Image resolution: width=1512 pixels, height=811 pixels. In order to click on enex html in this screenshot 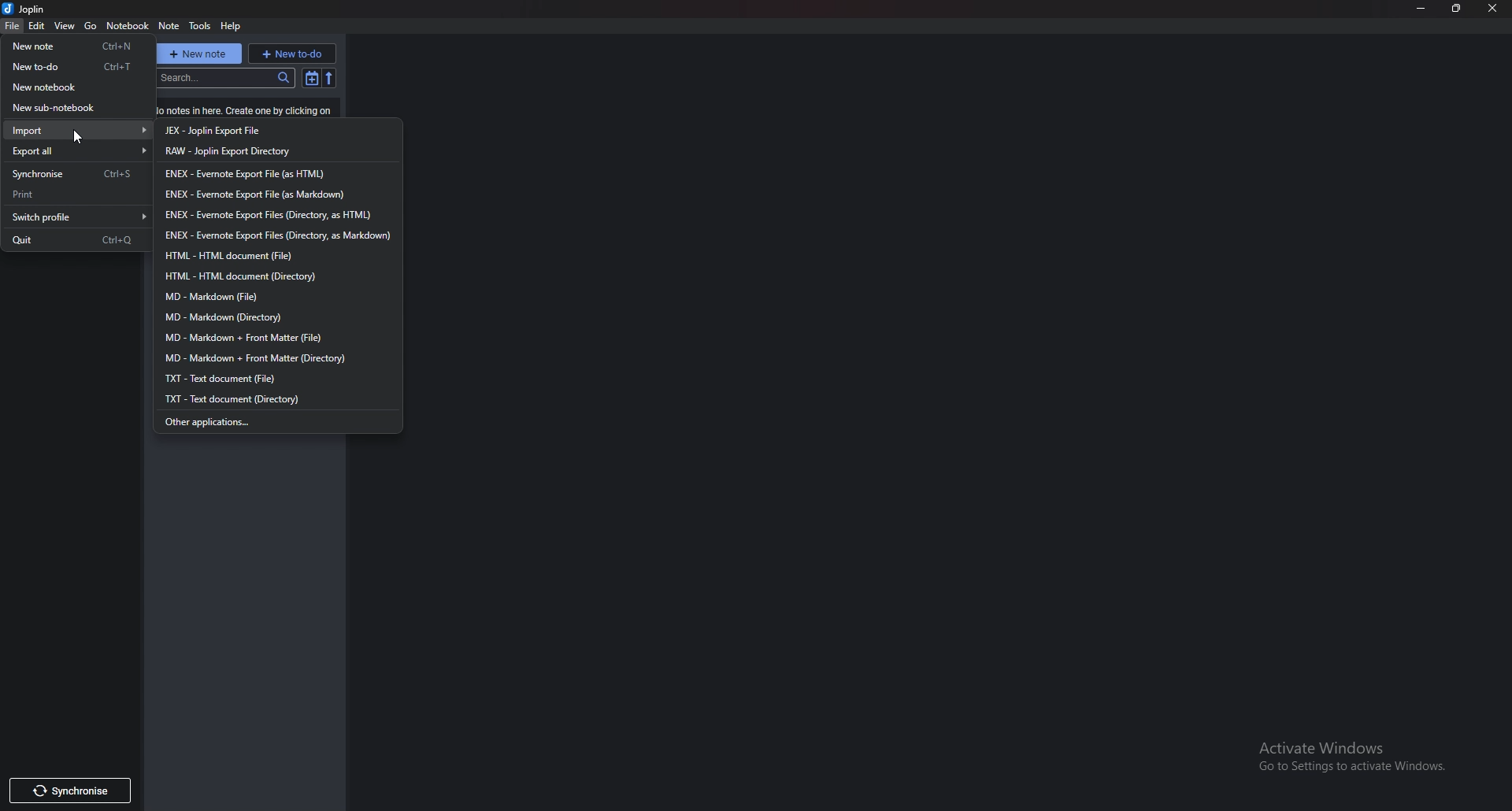, I will do `click(245, 173)`.